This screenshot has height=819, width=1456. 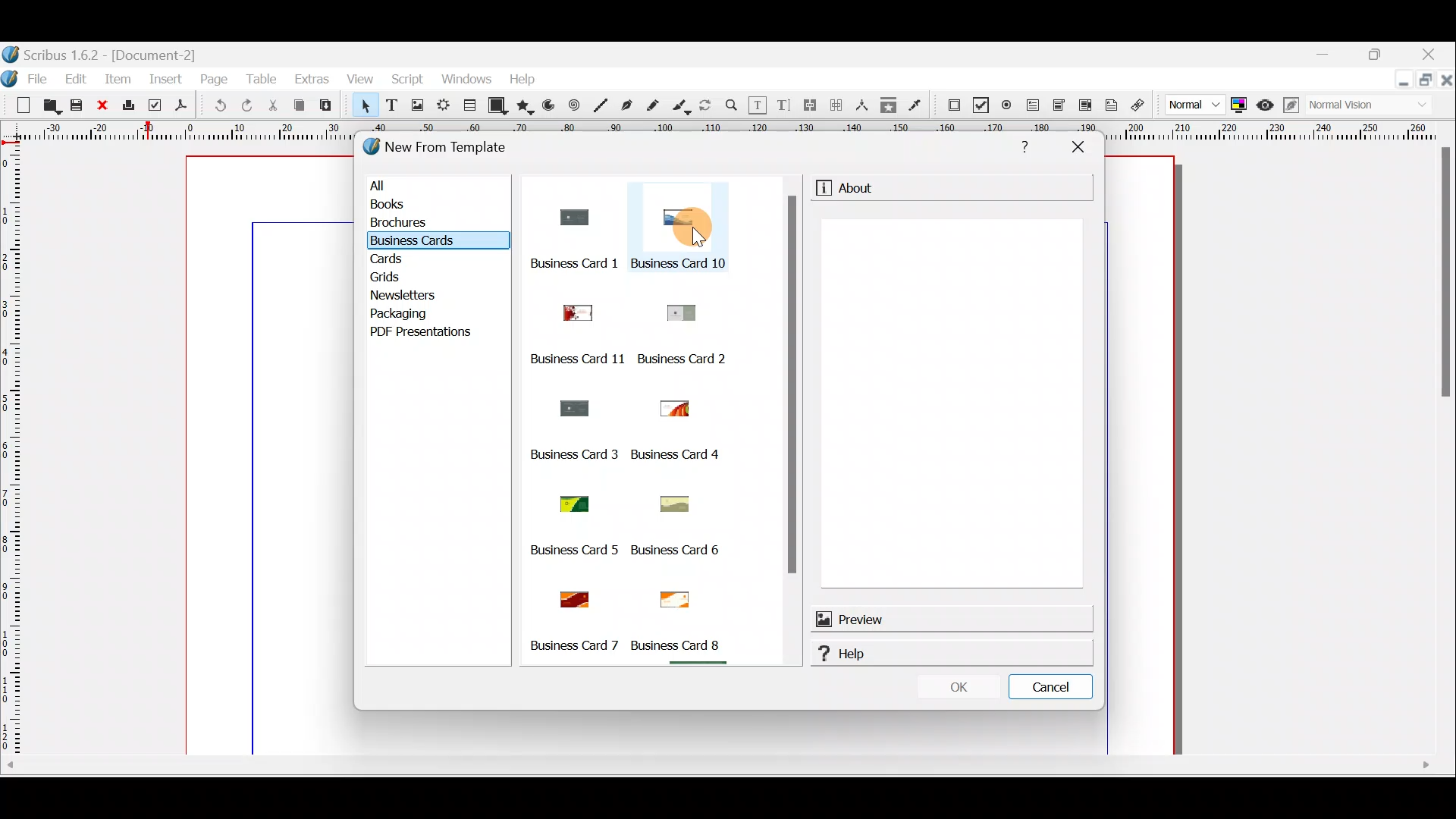 What do you see at coordinates (168, 79) in the screenshot?
I see `Insert` at bounding box center [168, 79].